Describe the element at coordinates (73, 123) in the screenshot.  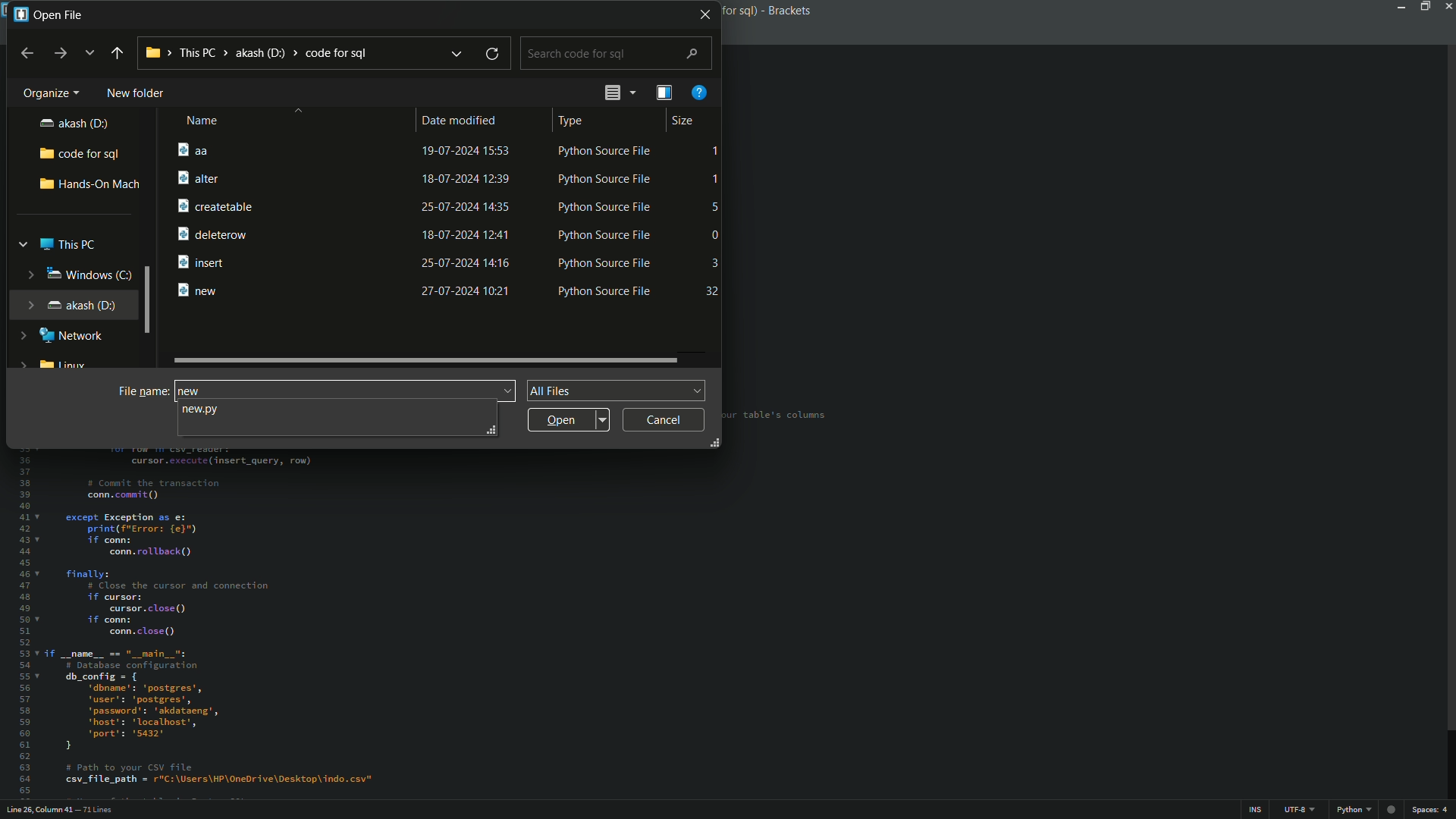
I see `akash(D)` at that location.